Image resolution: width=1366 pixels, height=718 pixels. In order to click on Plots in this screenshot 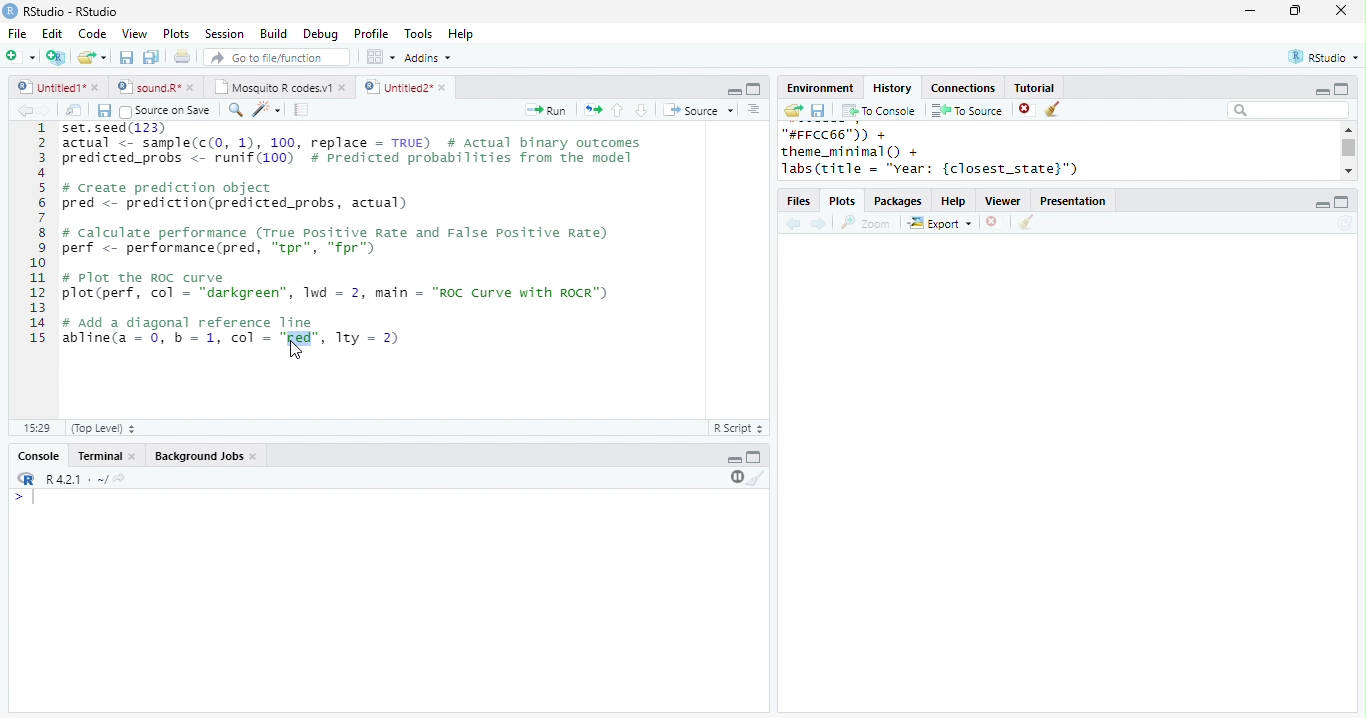, I will do `click(844, 202)`.